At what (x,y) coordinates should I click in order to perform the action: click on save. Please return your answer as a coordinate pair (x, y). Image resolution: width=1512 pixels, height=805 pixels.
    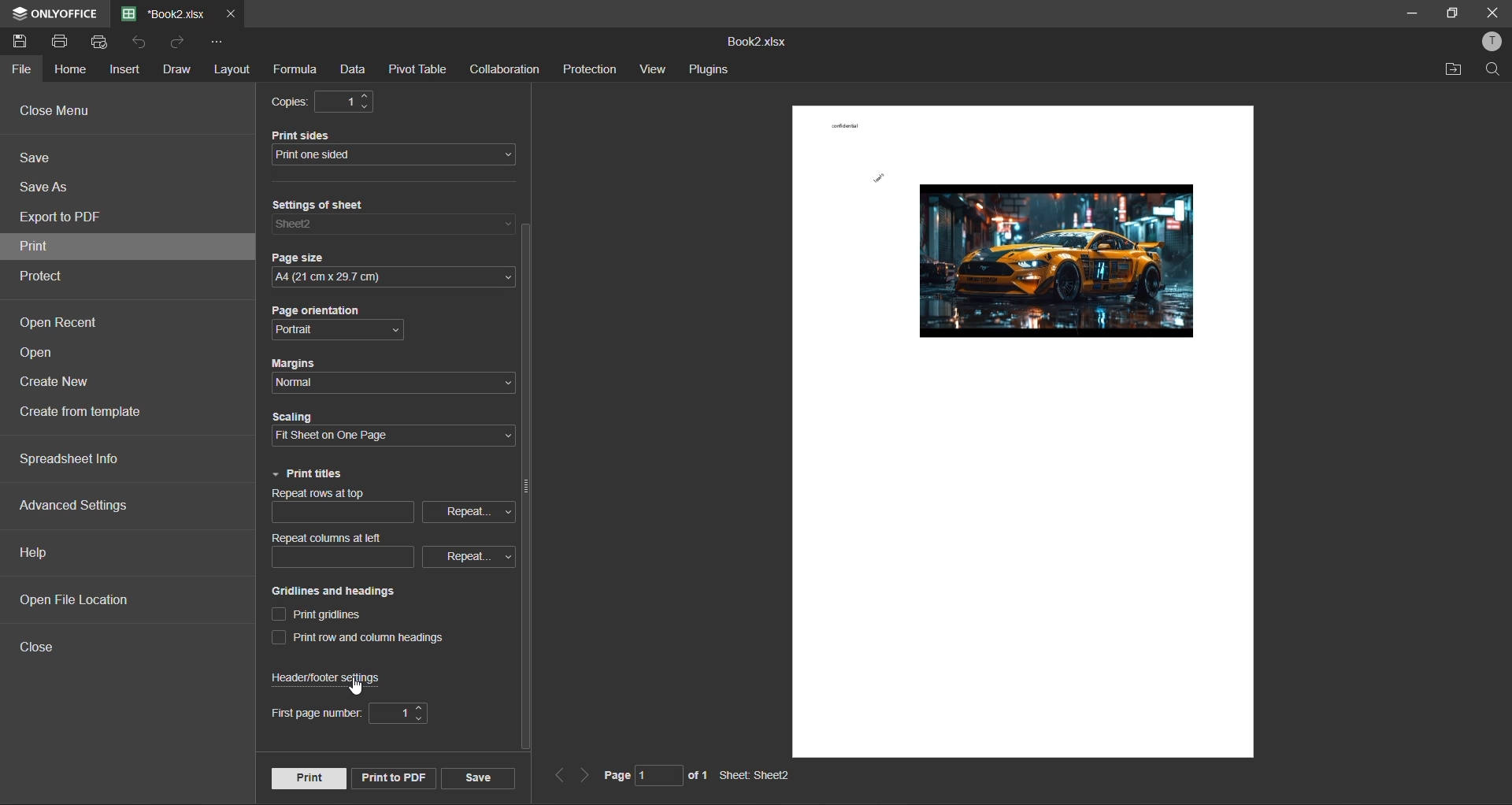
    Looking at the image, I should click on (21, 42).